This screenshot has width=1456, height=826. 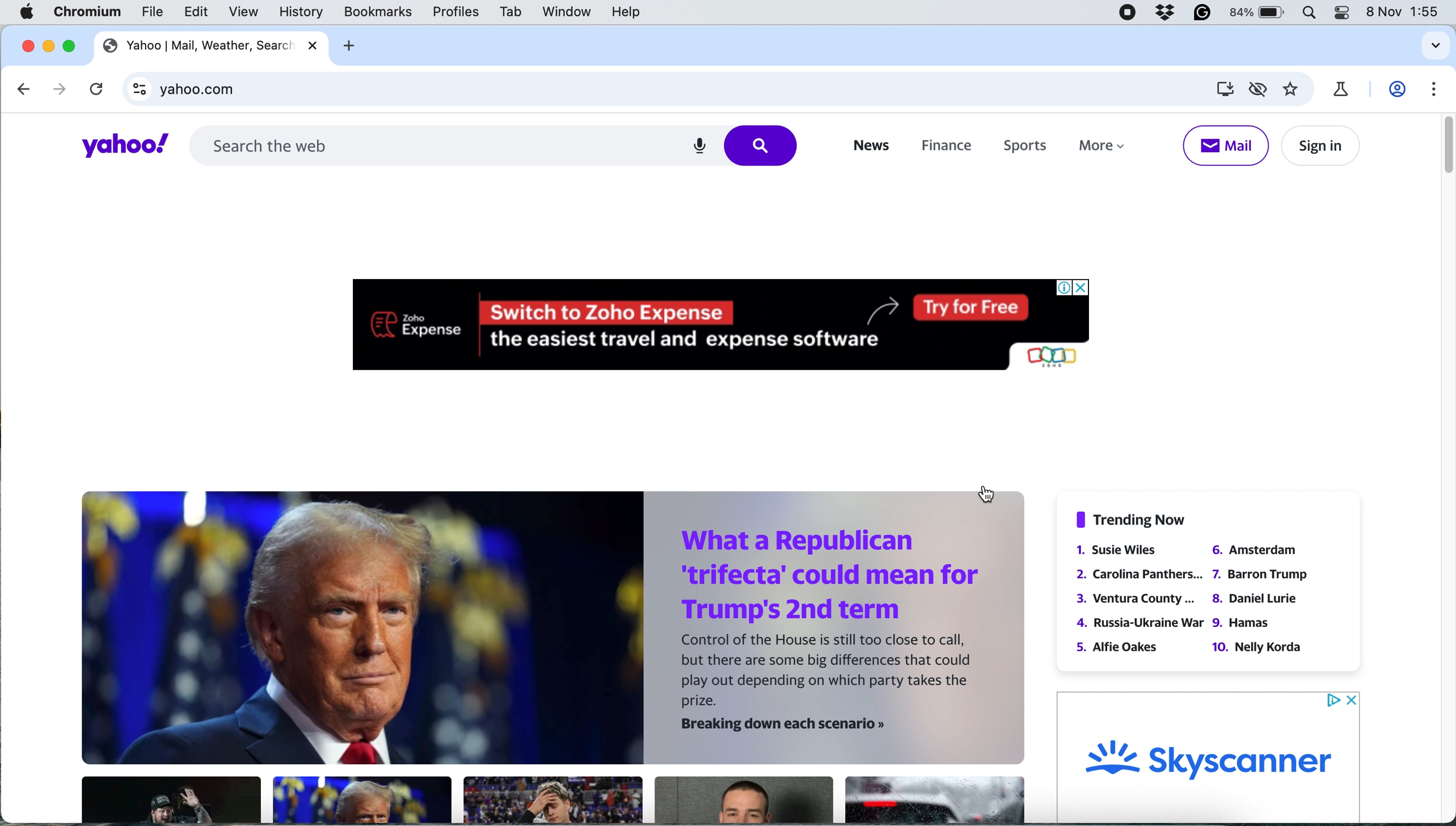 What do you see at coordinates (1341, 14) in the screenshot?
I see `control center` at bounding box center [1341, 14].